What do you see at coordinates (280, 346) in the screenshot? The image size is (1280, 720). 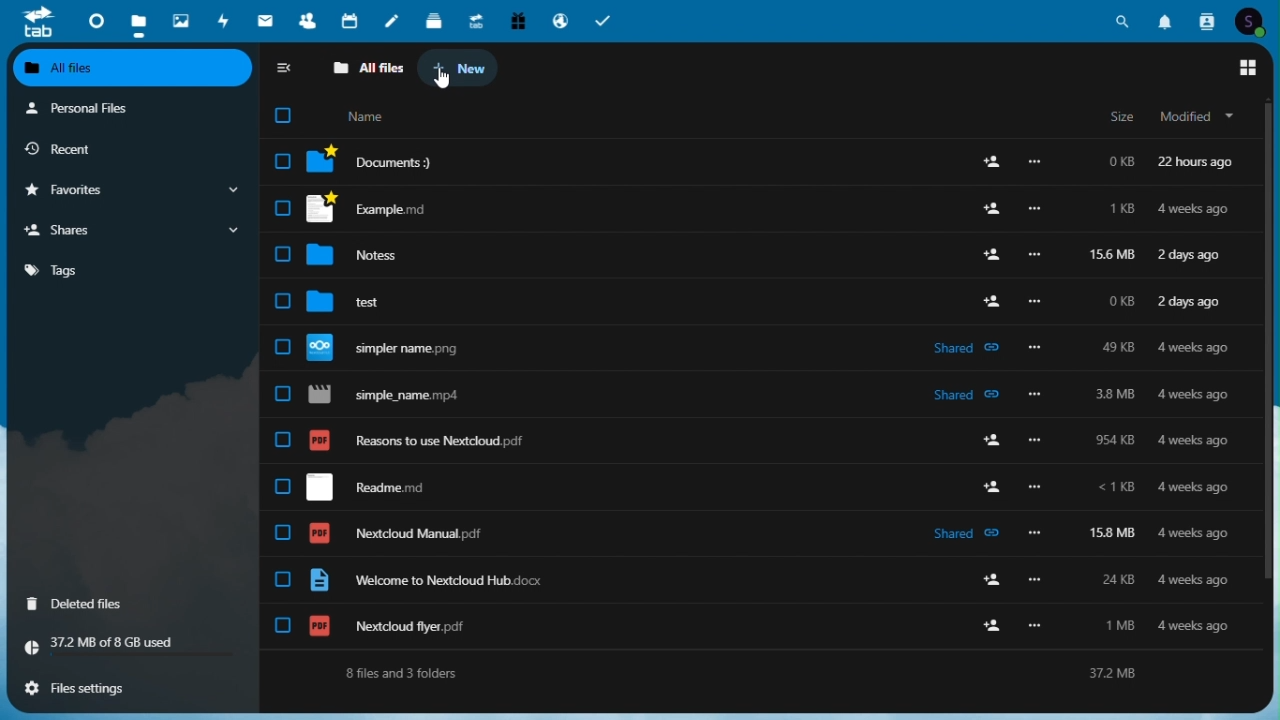 I see `check box` at bounding box center [280, 346].